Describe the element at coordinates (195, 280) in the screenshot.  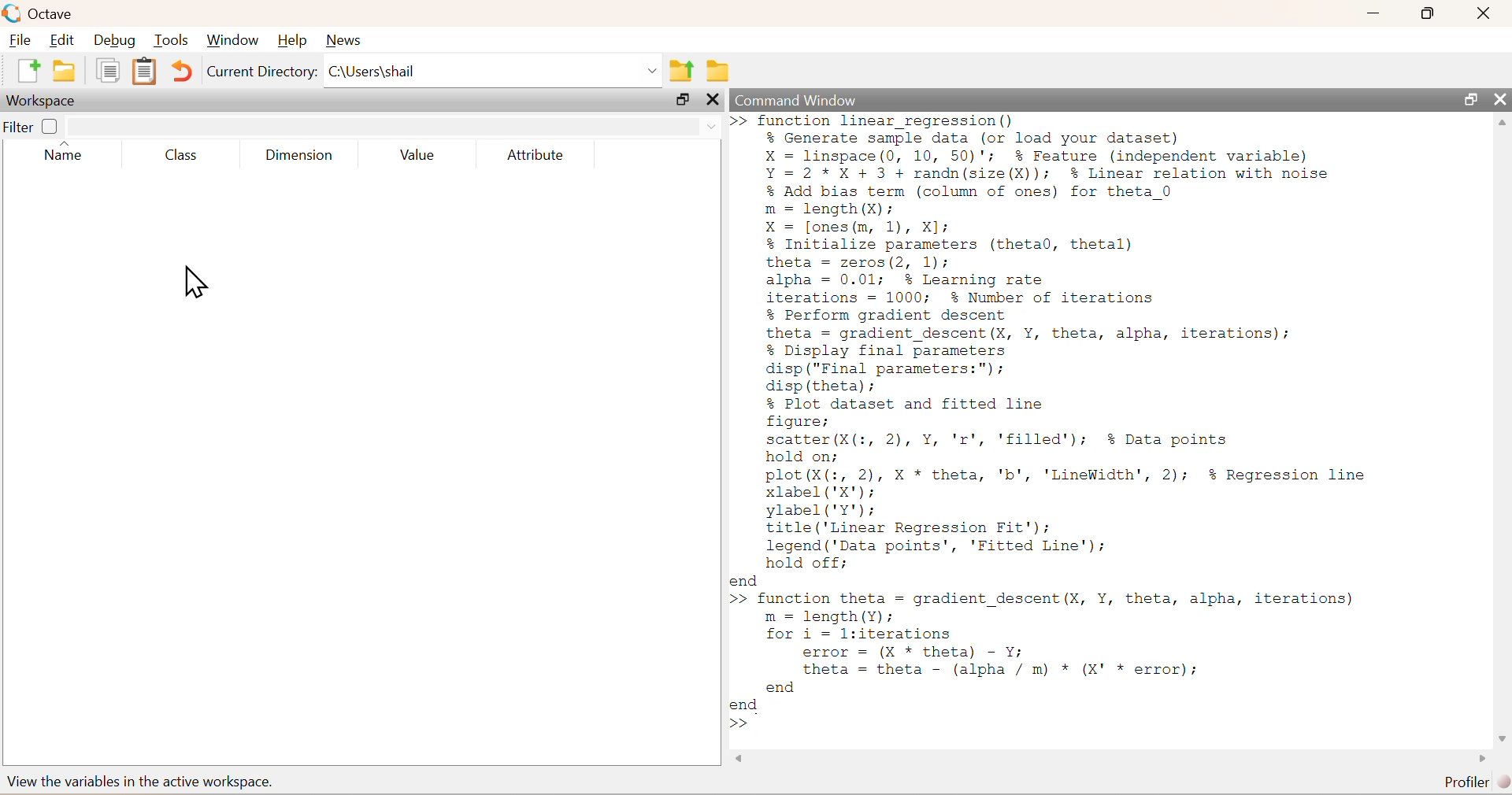
I see `cursor` at that location.